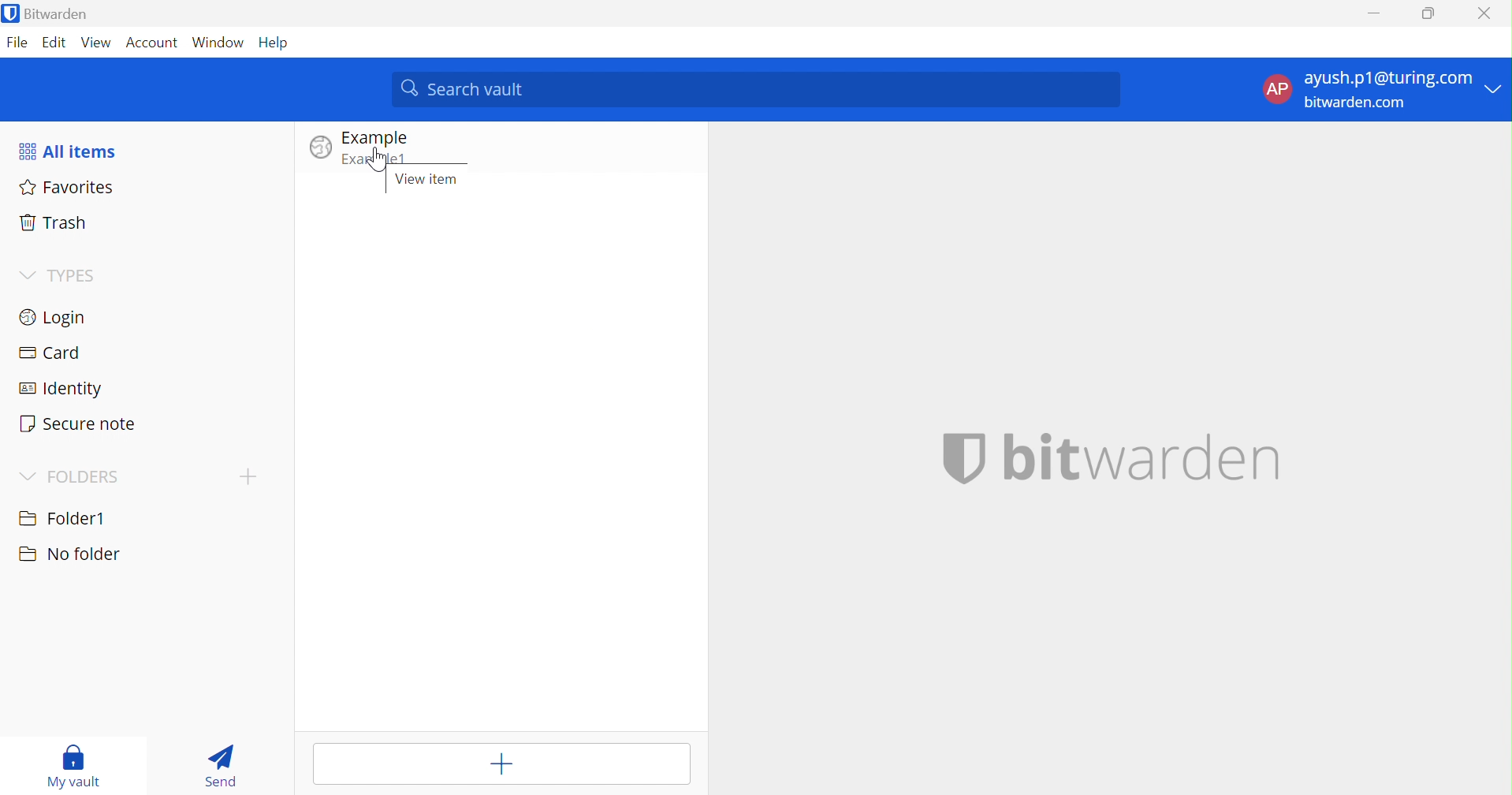  What do you see at coordinates (1496, 84) in the screenshot?
I see `Drop Down` at bounding box center [1496, 84].